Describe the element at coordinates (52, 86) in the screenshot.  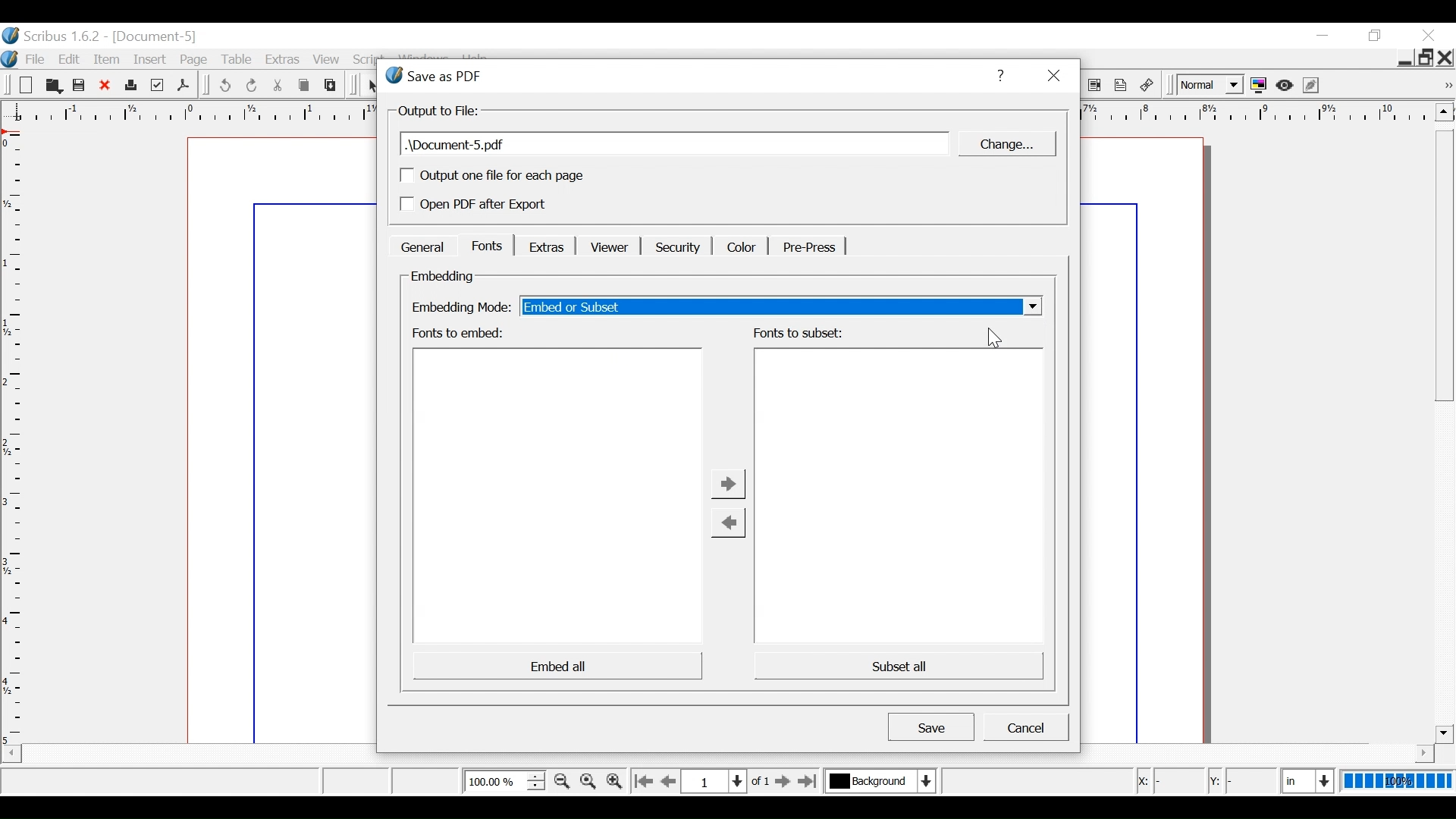
I see `Open` at that location.